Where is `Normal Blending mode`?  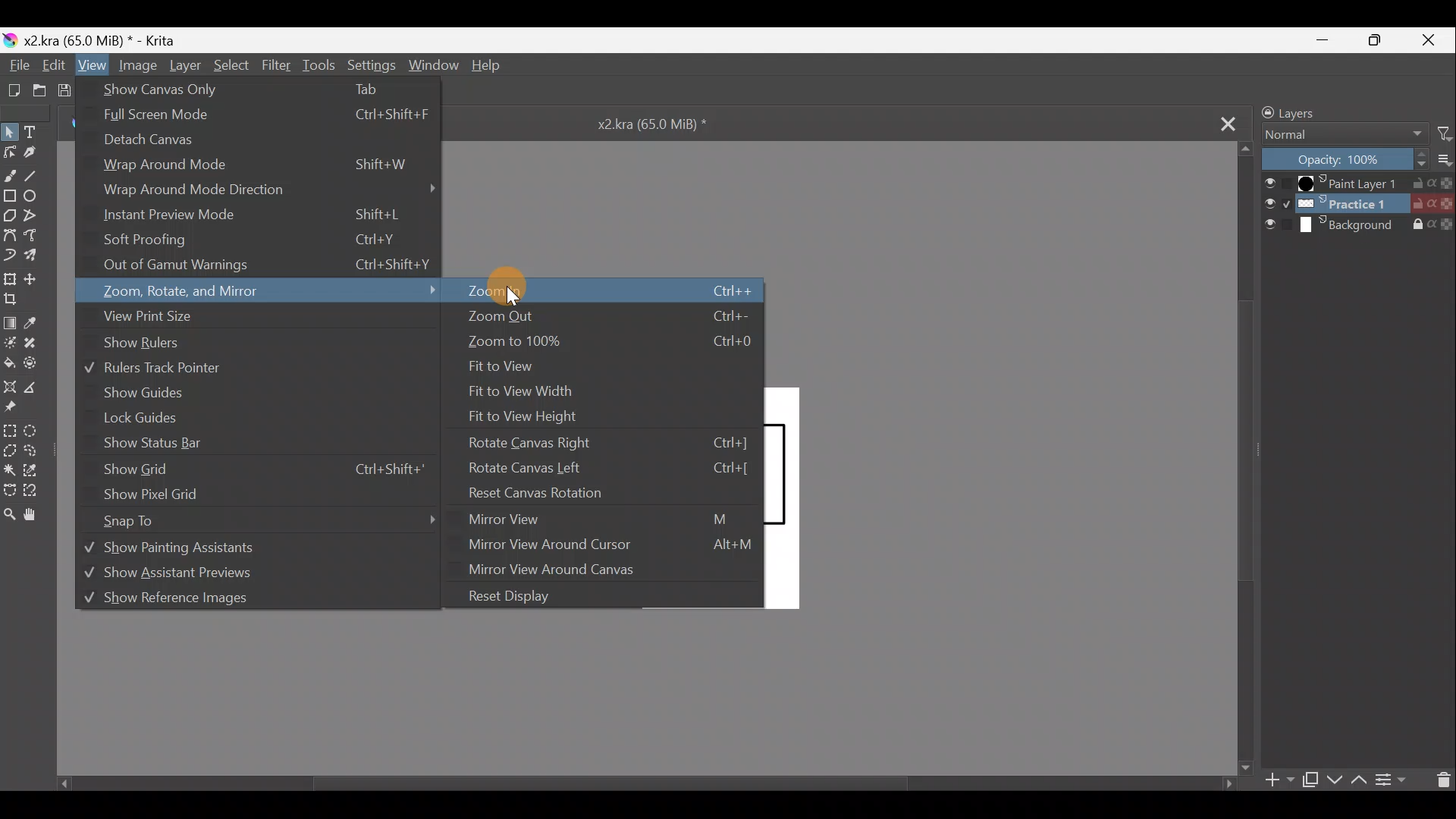
Normal Blending mode is located at coordinates (1343, 136).